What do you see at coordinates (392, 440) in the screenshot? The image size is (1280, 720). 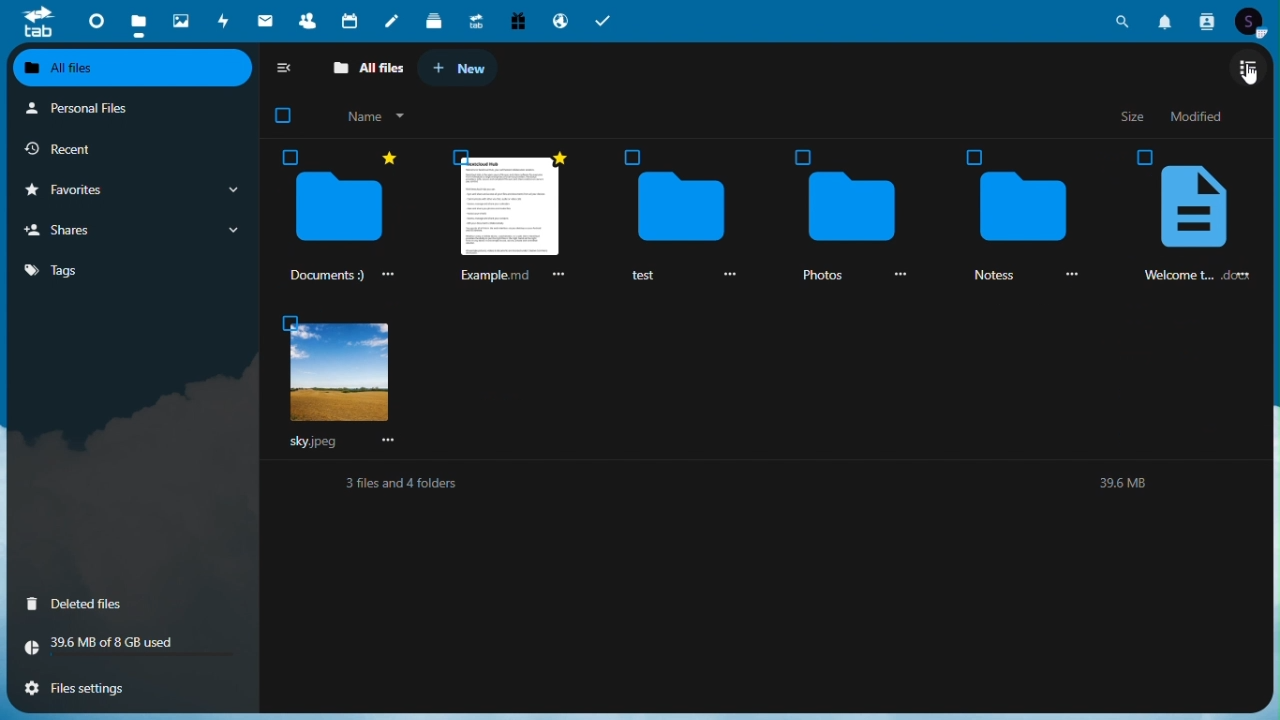 I see `more options` at bounding box center [392, 440].